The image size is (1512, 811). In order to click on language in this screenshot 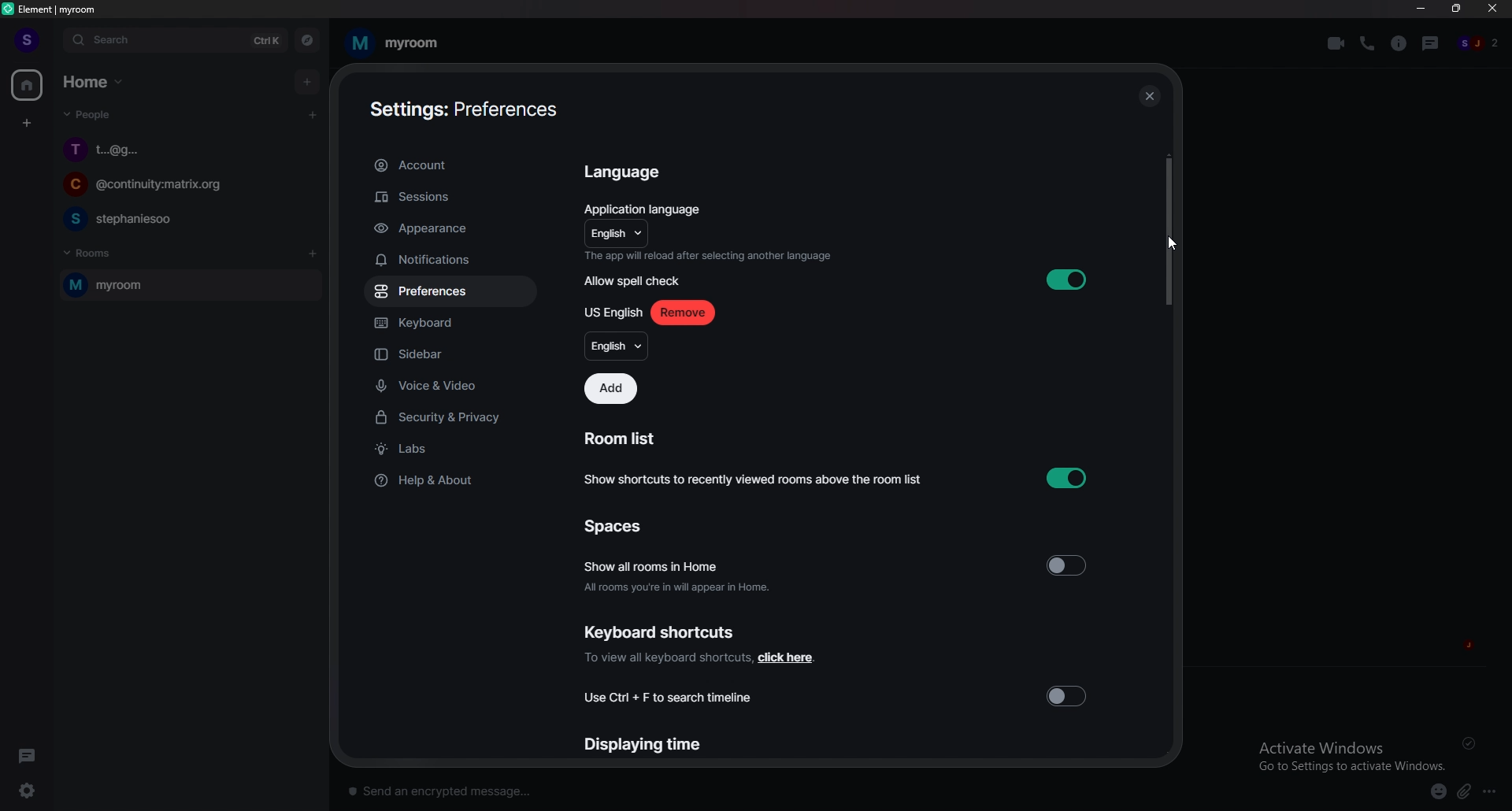, I will do `click(628, 173)`.